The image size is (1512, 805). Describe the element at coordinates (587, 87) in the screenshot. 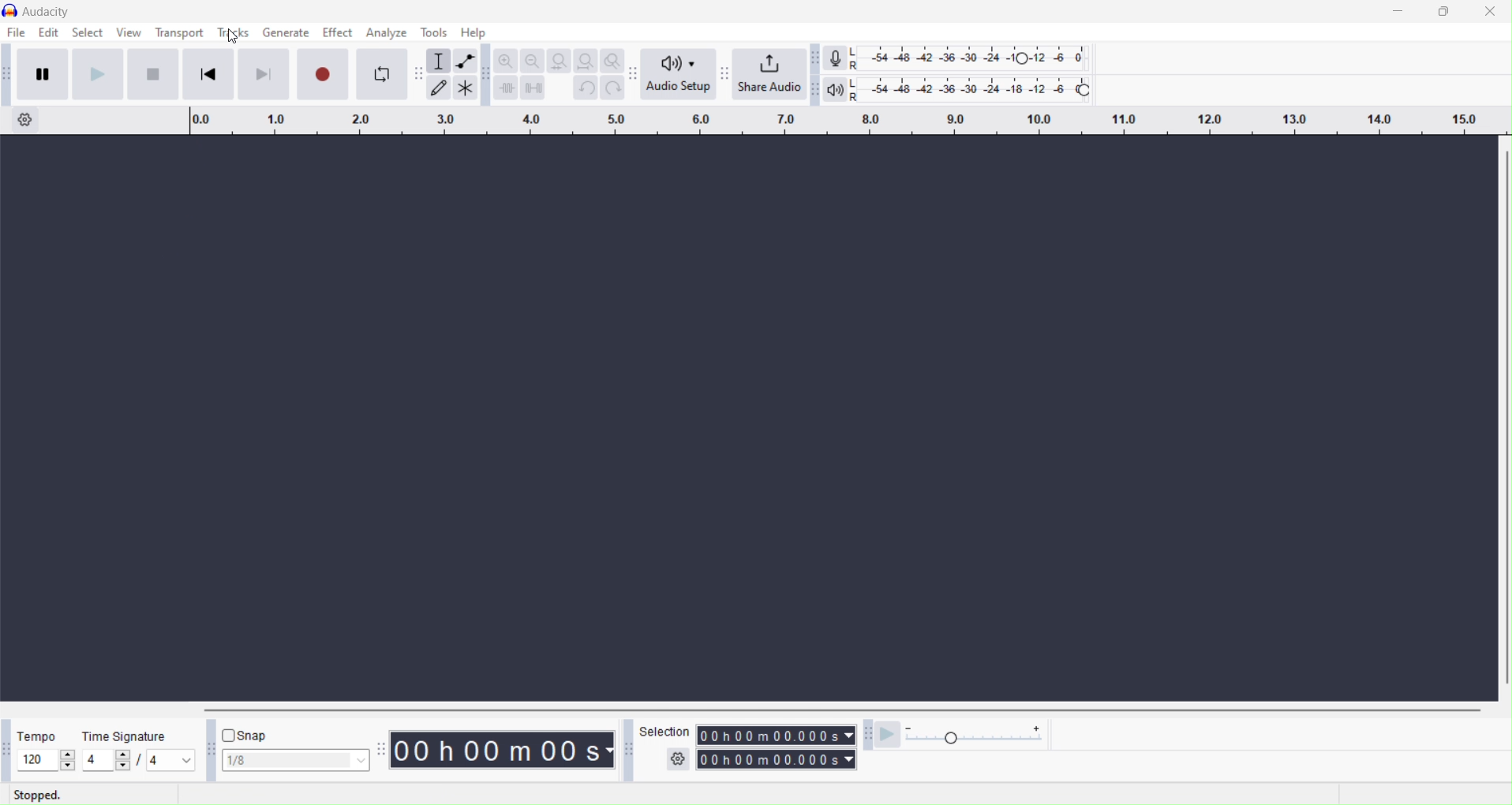

I see `Undo` at that location.